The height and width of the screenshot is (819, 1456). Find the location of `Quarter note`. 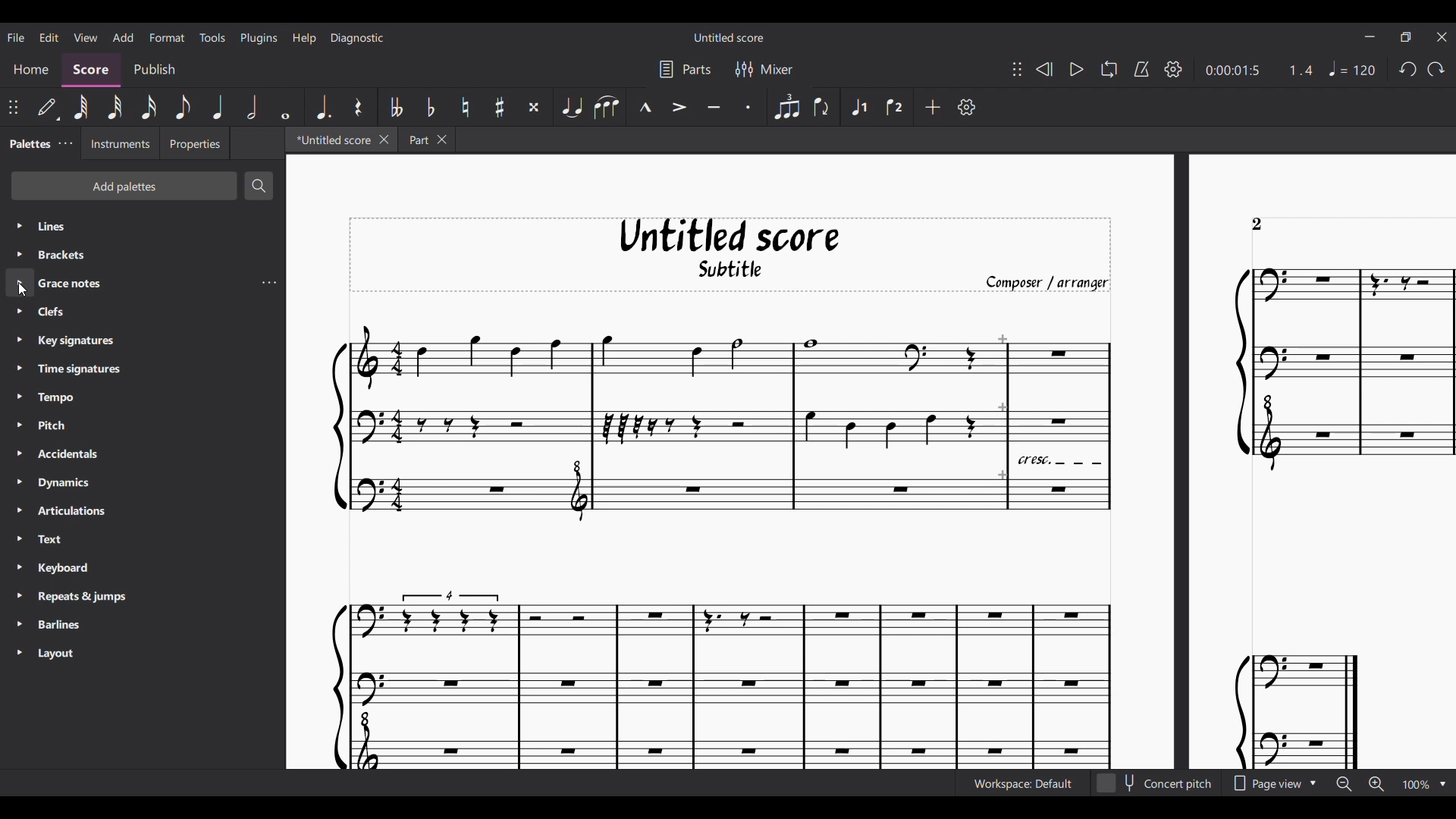

Quarter note is located at coordinates (218, 107).